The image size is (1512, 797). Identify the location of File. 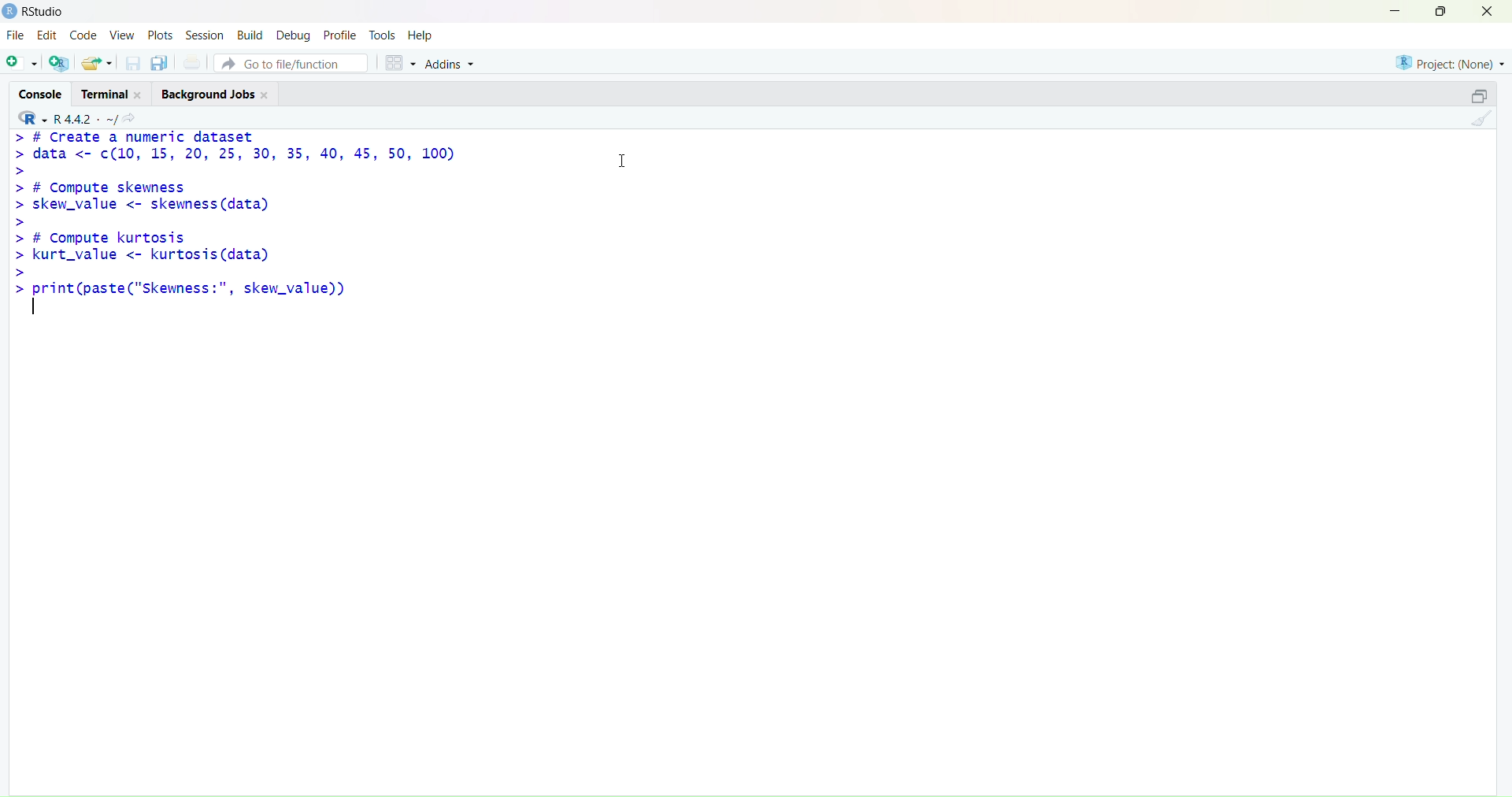
(17, 36).